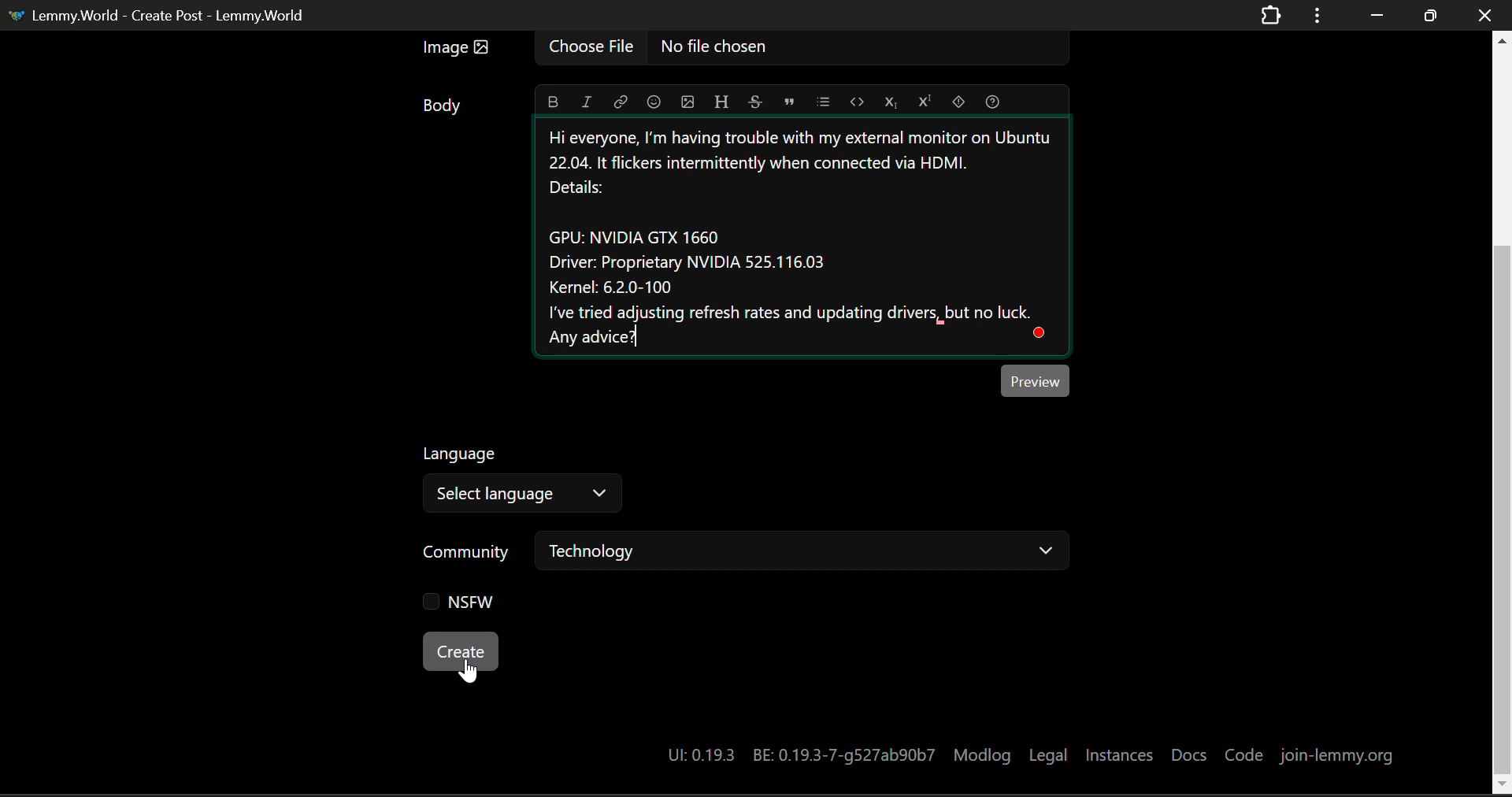 The height and width of the screenshot is (797, 1512). What do you see at coordinates (890, 99) in the screenshot?
I see `Subscript` at bounding box center [890, 99].